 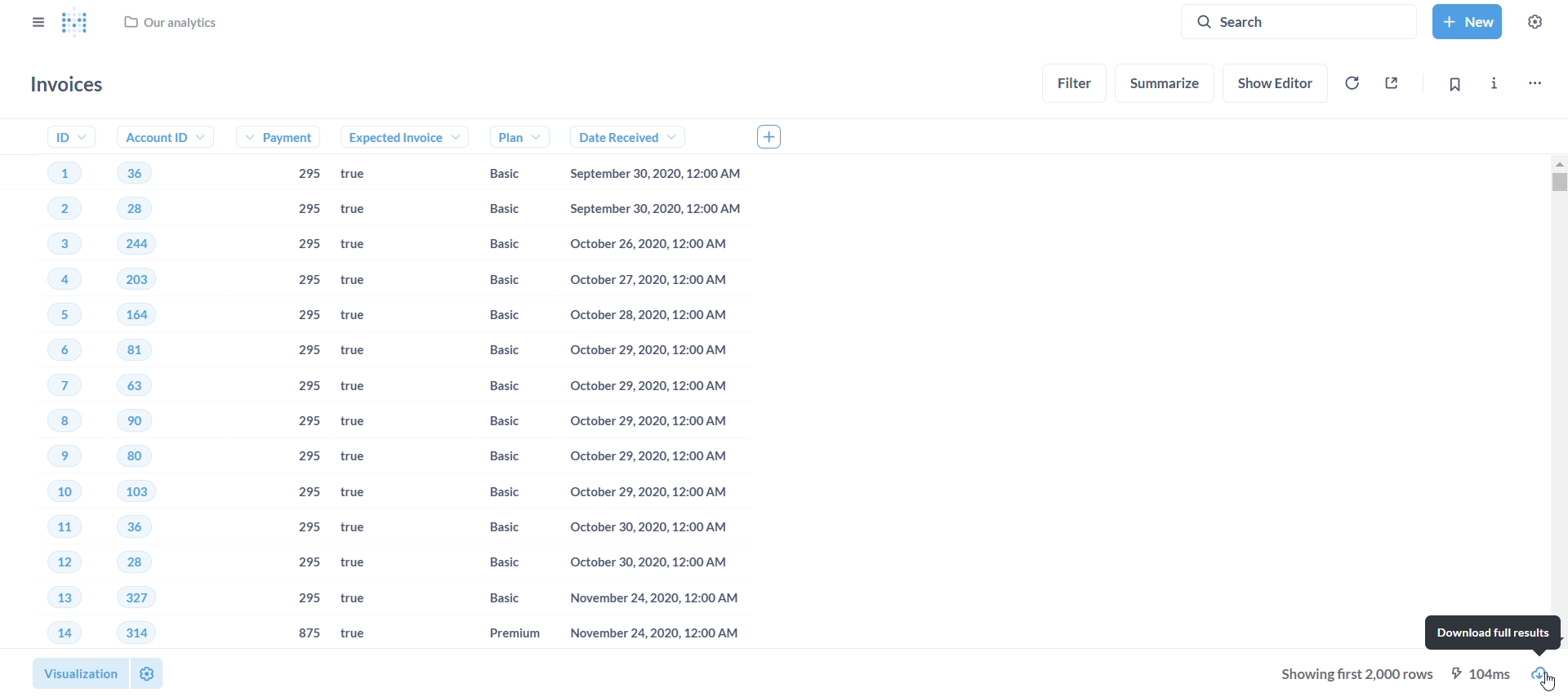 What do you see at coordinates (311, 421) in the screenshot?
I see `295` at bounding box center [311, 421].